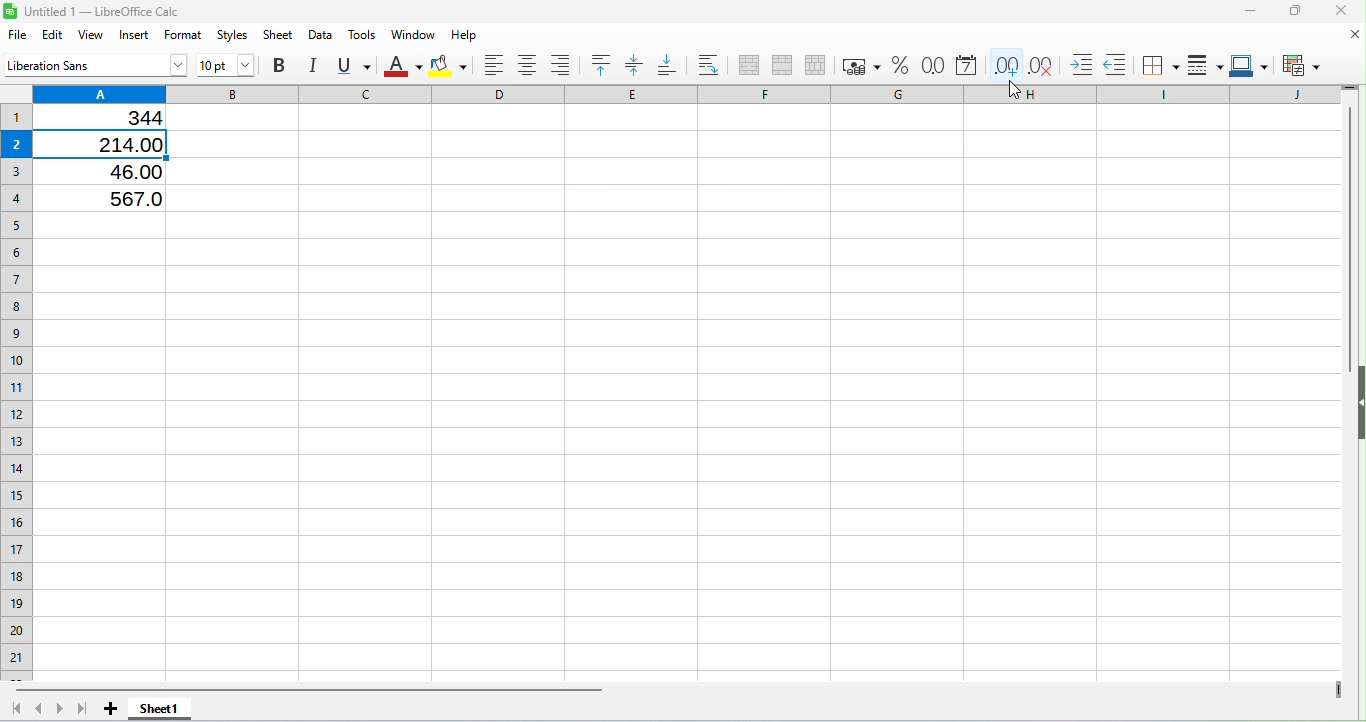  Describe the element at coordinates (635, 65) in the screenshot. I see `Center vertically` at that location.